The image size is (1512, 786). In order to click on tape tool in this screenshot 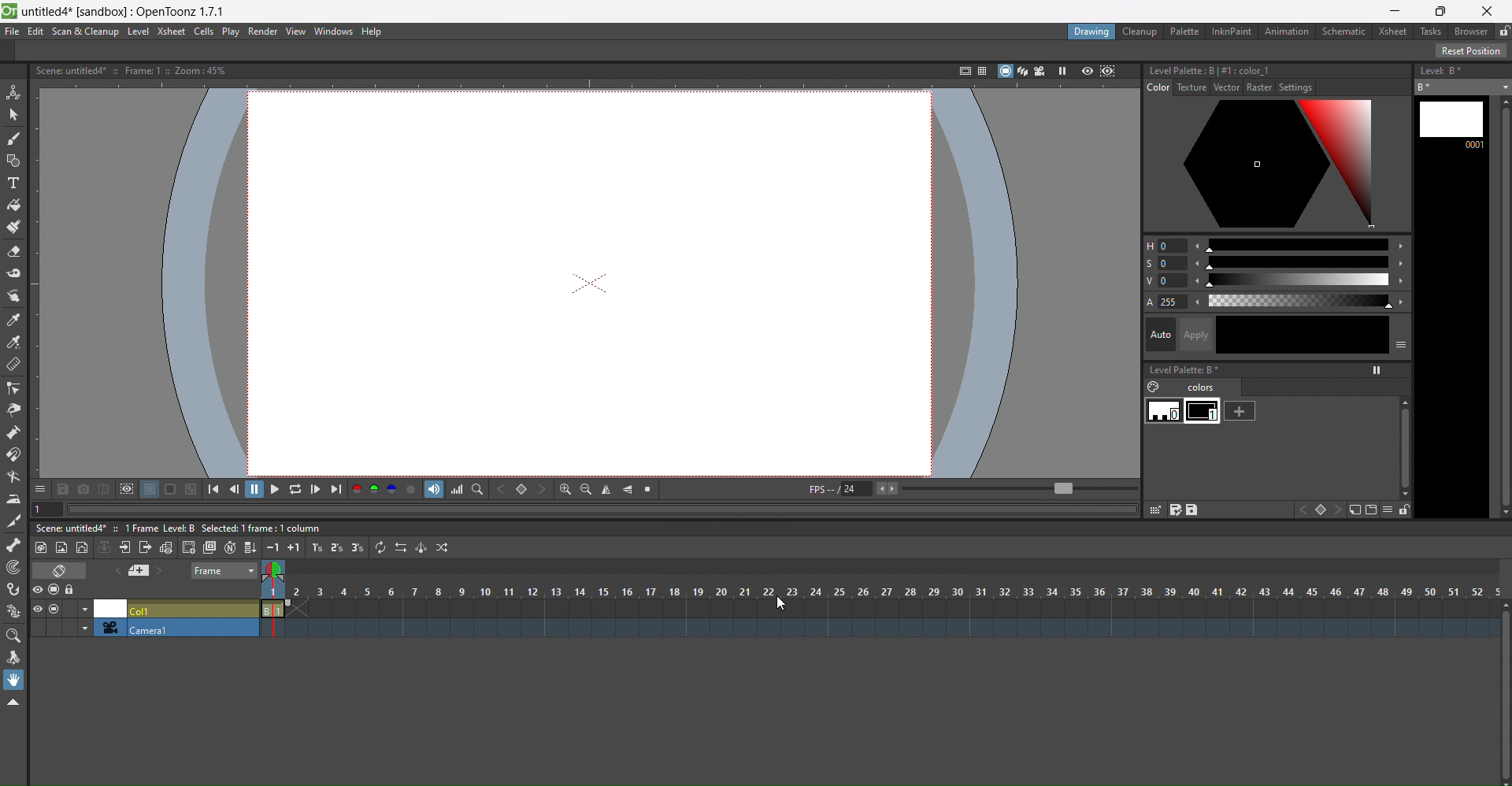, I will do `click(14, 273)`.